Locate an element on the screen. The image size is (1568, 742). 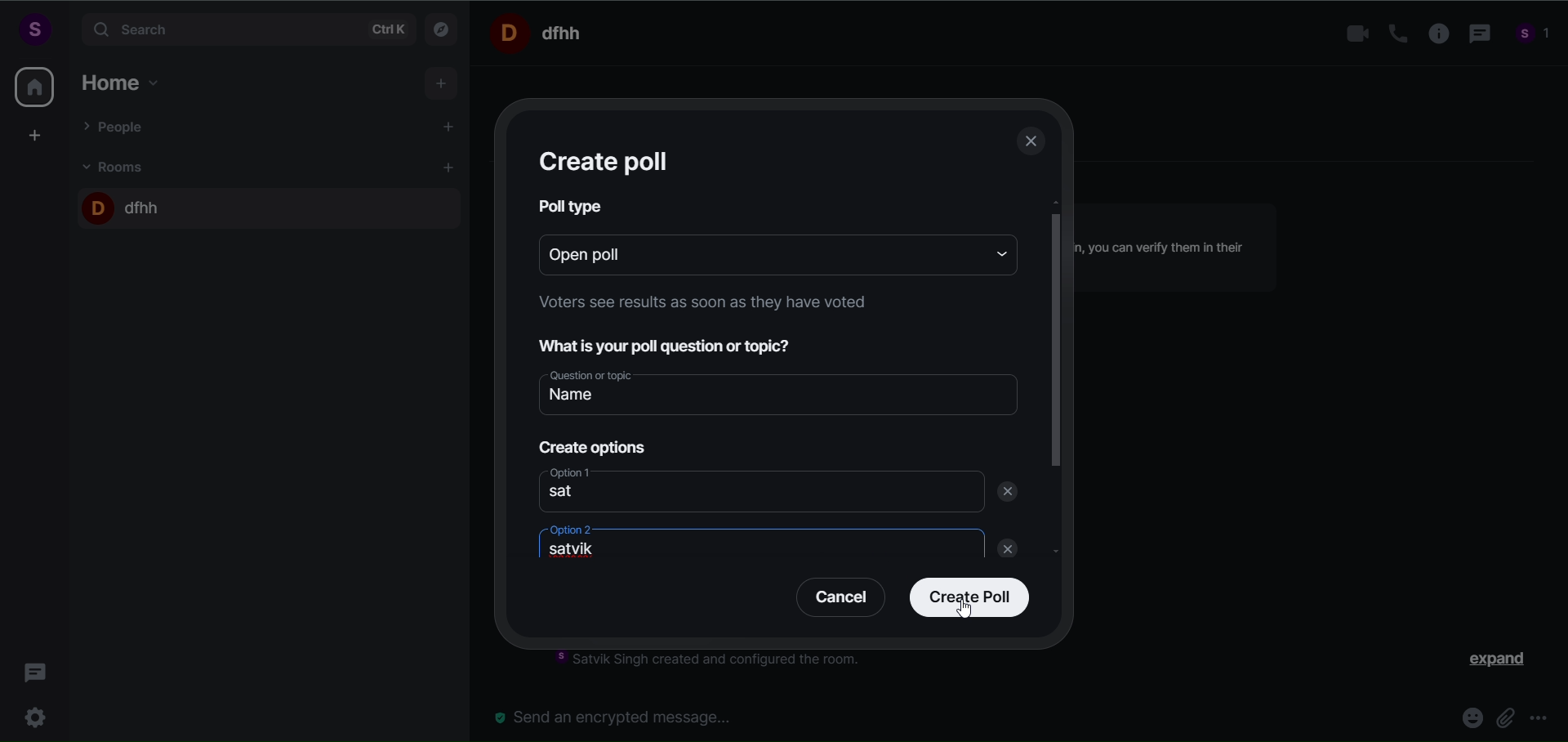
create space is located at coordinates (35, 135).